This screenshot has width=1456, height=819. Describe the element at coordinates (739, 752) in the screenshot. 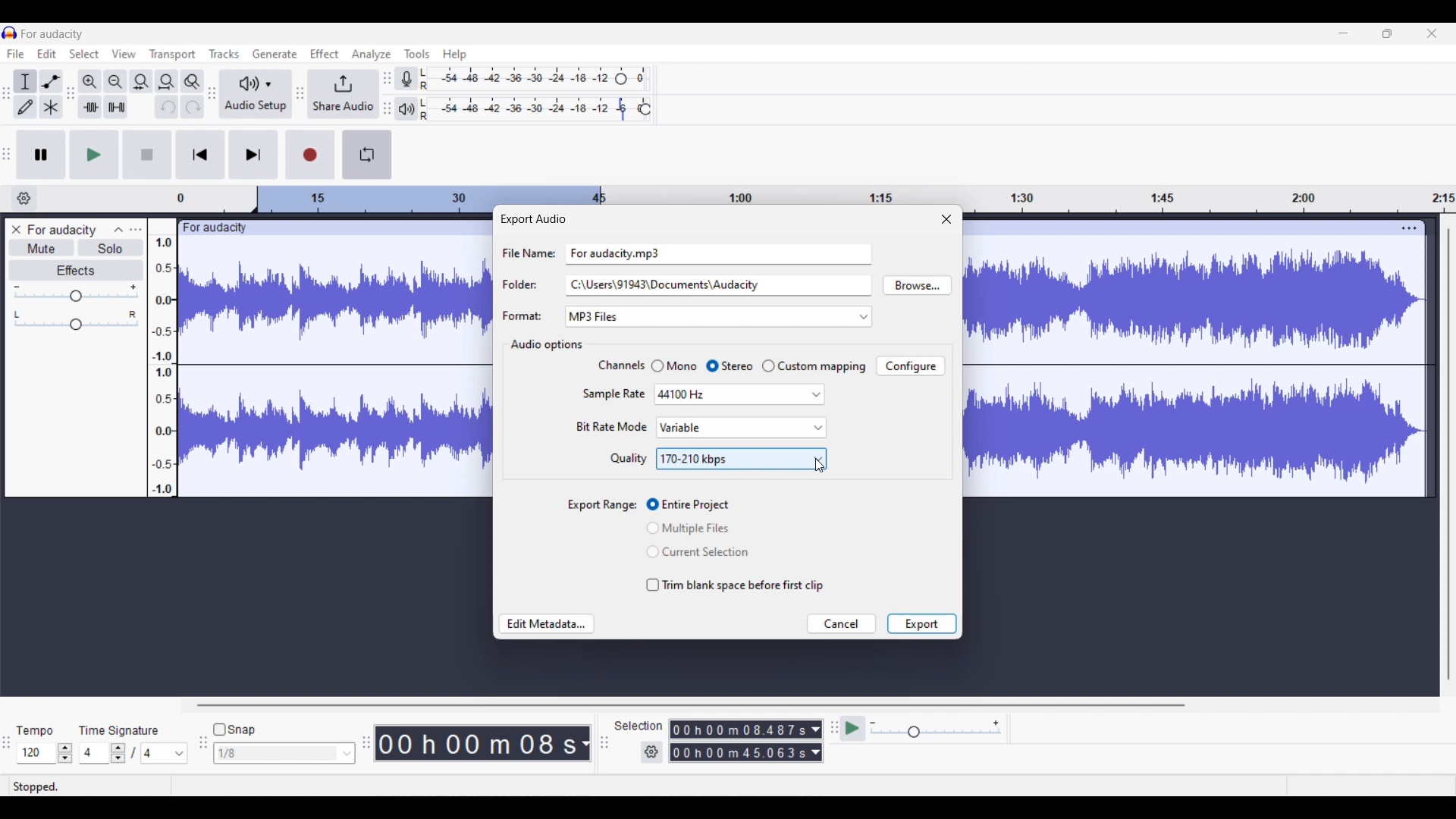

I see `Selection duration measurement` at that location.